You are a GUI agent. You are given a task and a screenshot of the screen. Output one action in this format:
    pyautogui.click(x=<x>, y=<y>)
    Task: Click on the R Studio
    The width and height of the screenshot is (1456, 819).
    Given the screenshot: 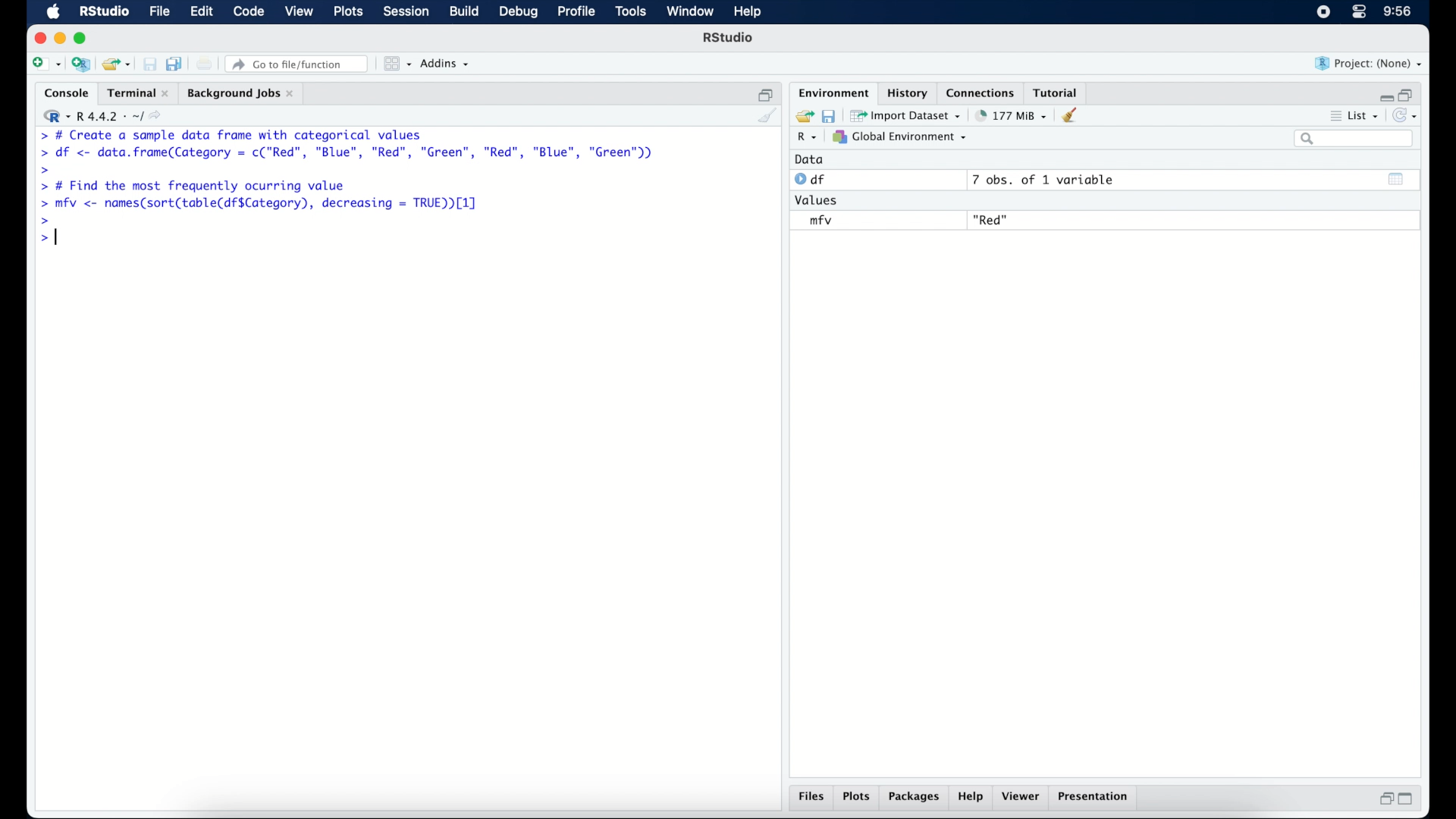 What is the action you would take?
    pyautogui.click(x=730, y=38)
    